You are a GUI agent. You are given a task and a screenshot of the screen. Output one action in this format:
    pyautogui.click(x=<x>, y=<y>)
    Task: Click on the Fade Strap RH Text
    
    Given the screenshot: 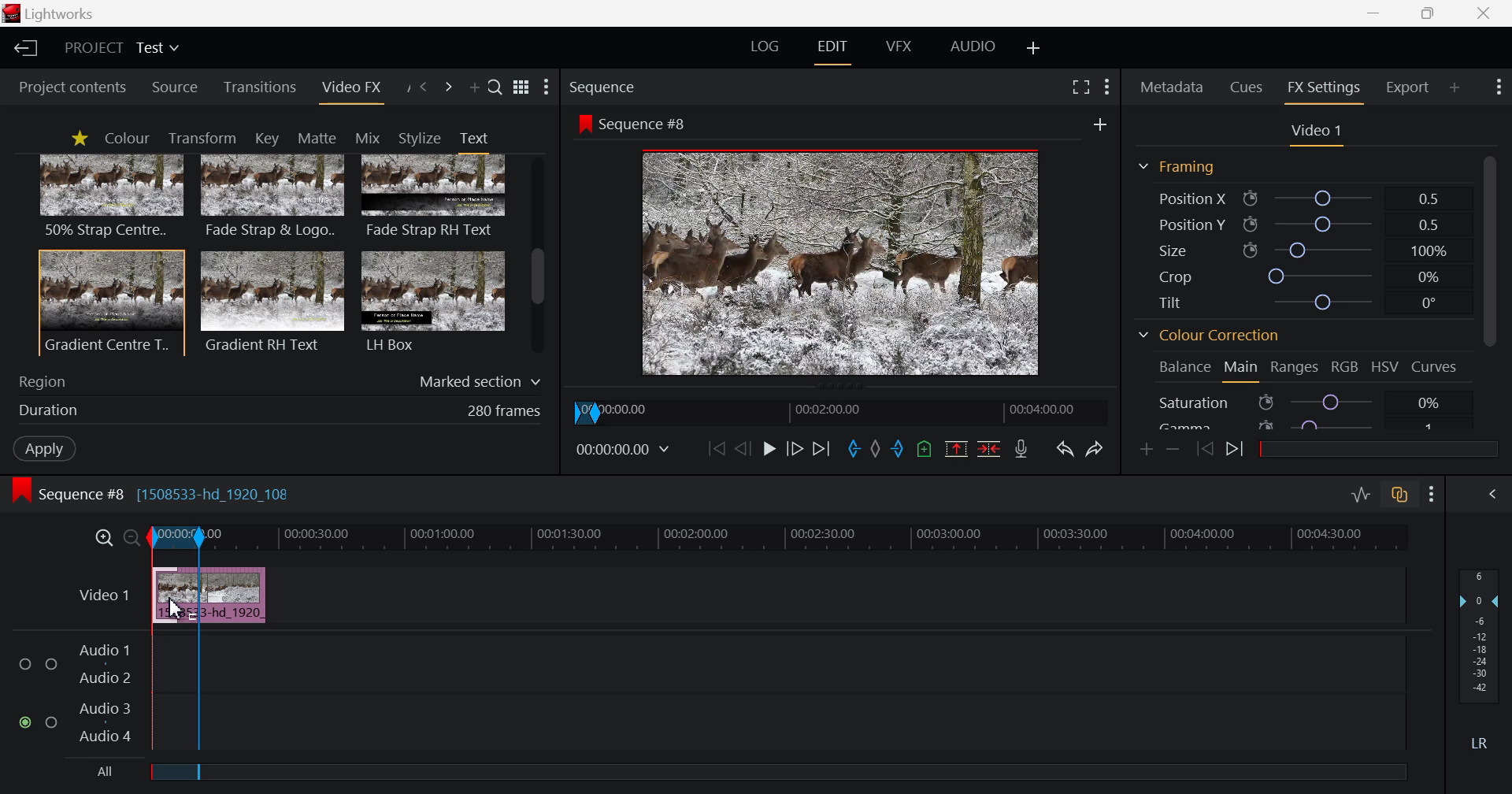 What is the action you would take?
    pyautogui.click(x=435, y=197)
    